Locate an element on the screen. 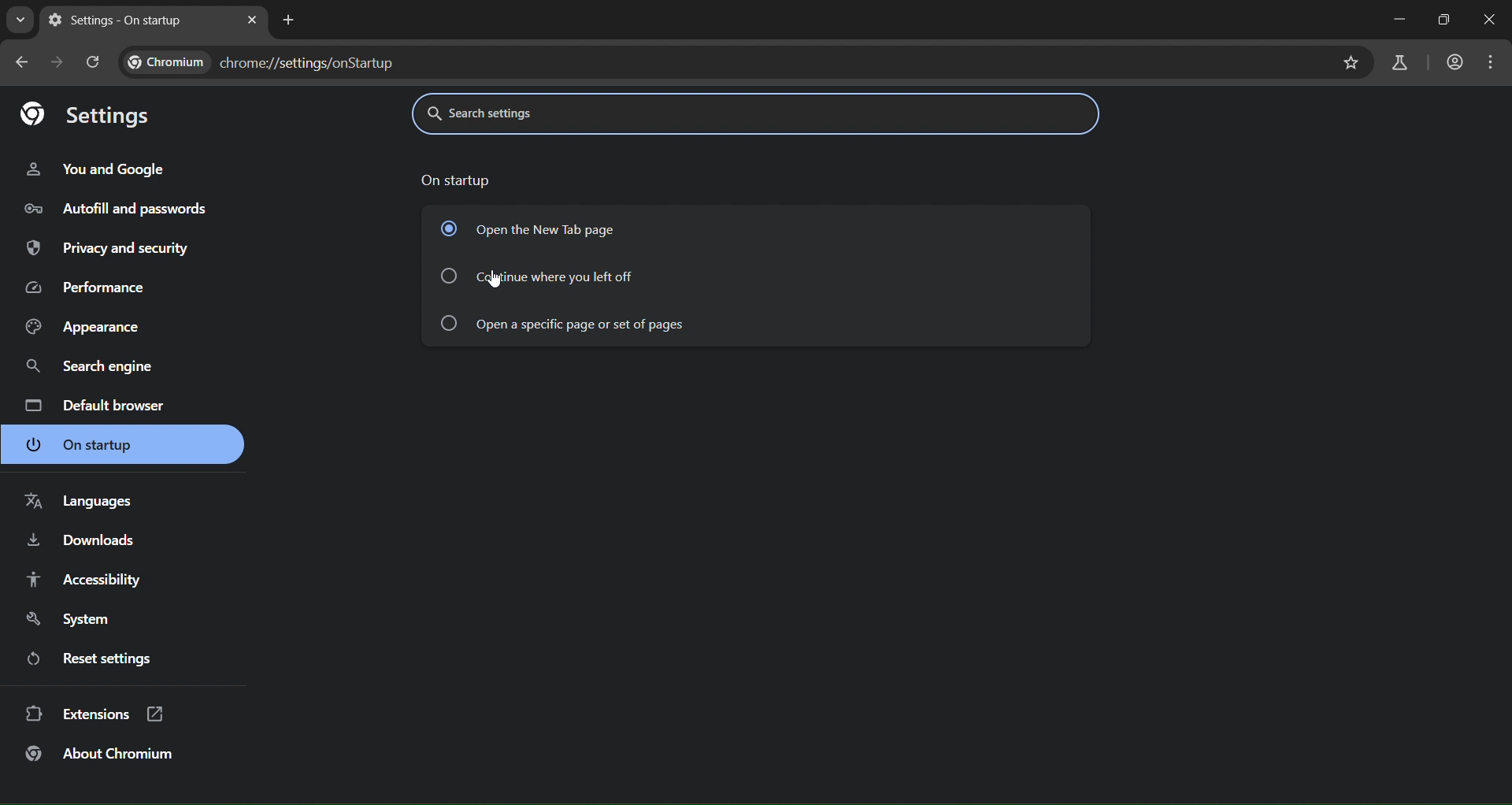  autofill and passwords is located at coordinates (126, 210).